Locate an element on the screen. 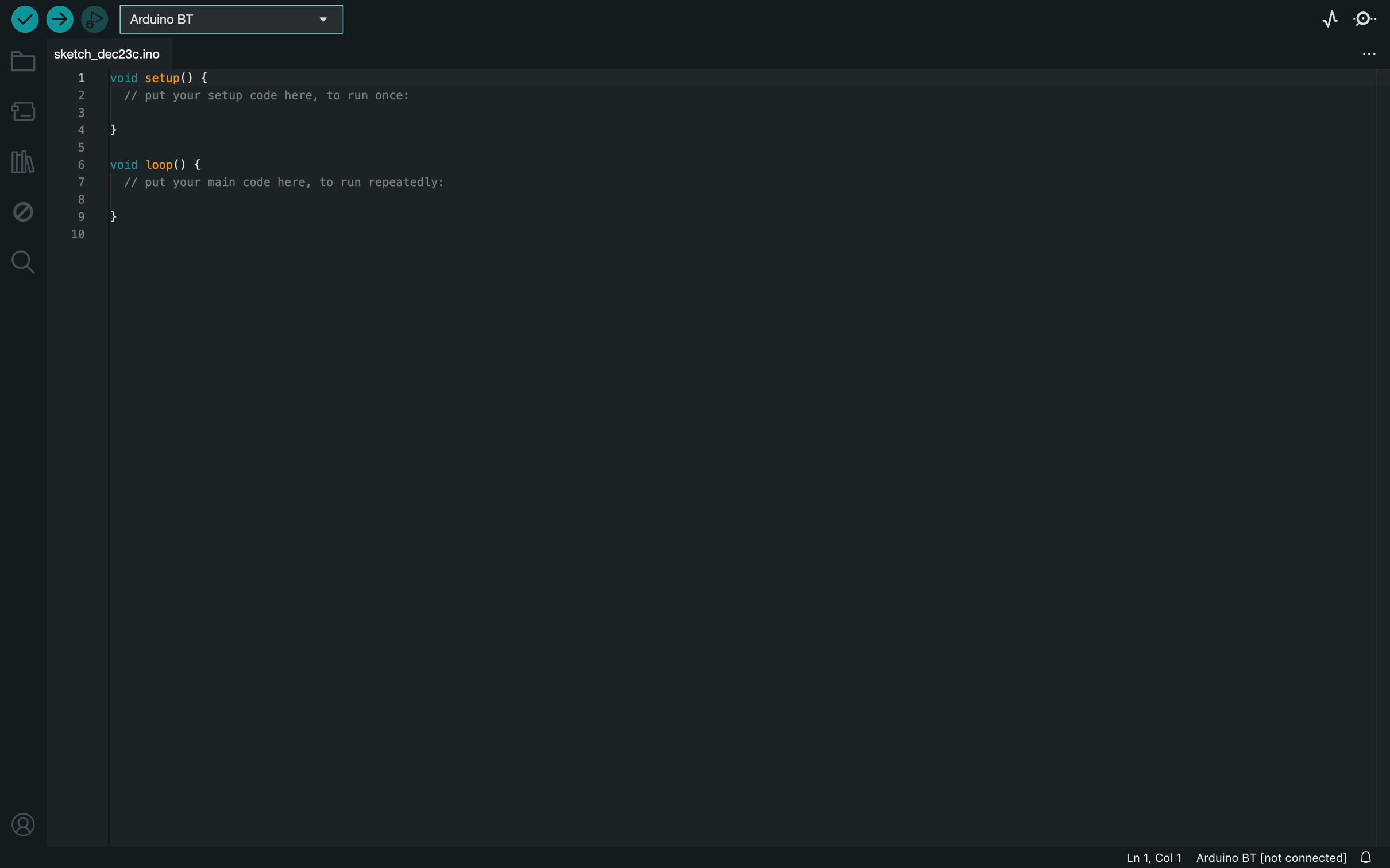  serial plotter is located at coordinates (1323, 18).